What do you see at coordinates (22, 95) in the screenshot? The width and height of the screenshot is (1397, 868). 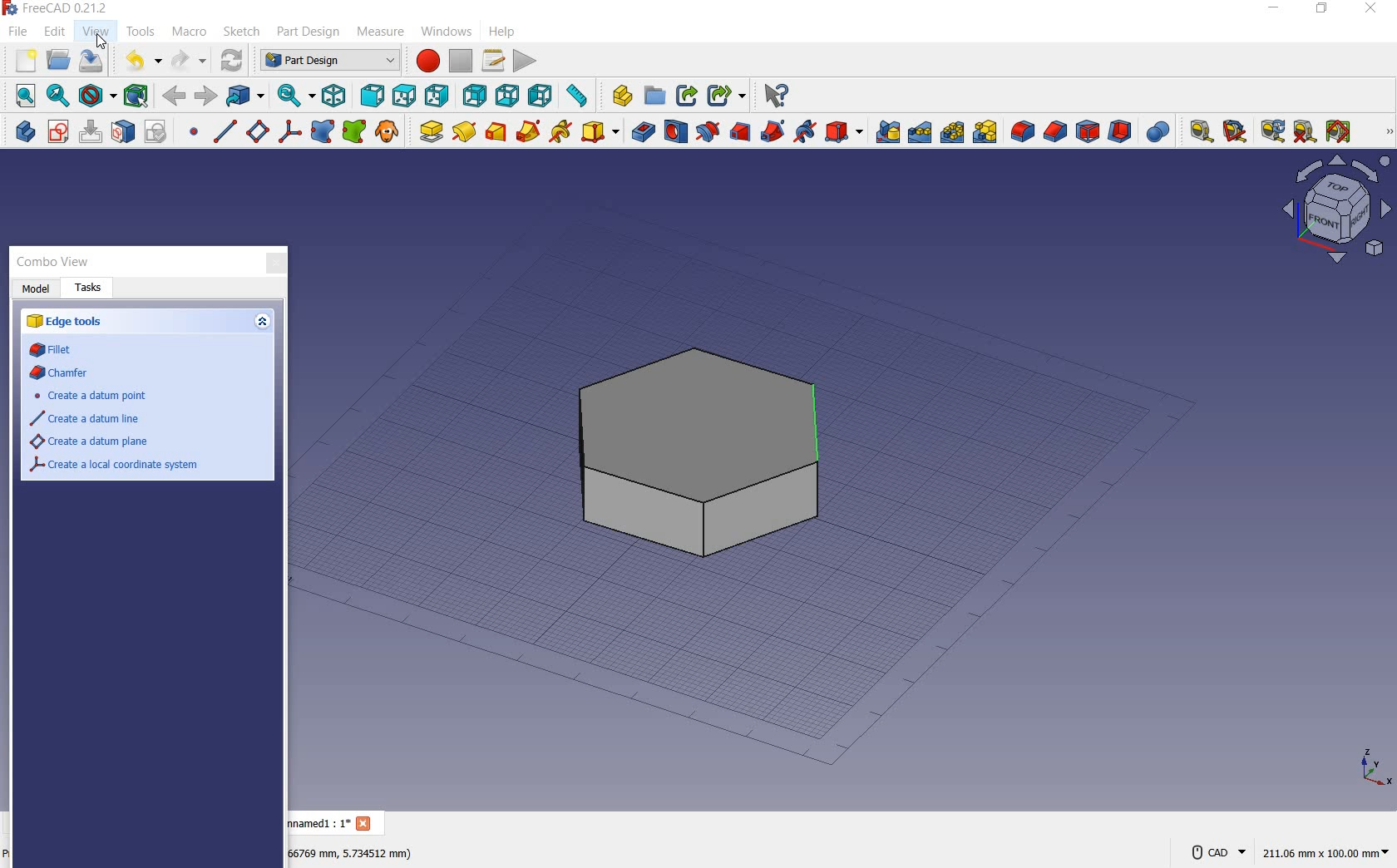 I see `fit all` at bounding box center [22, 95].